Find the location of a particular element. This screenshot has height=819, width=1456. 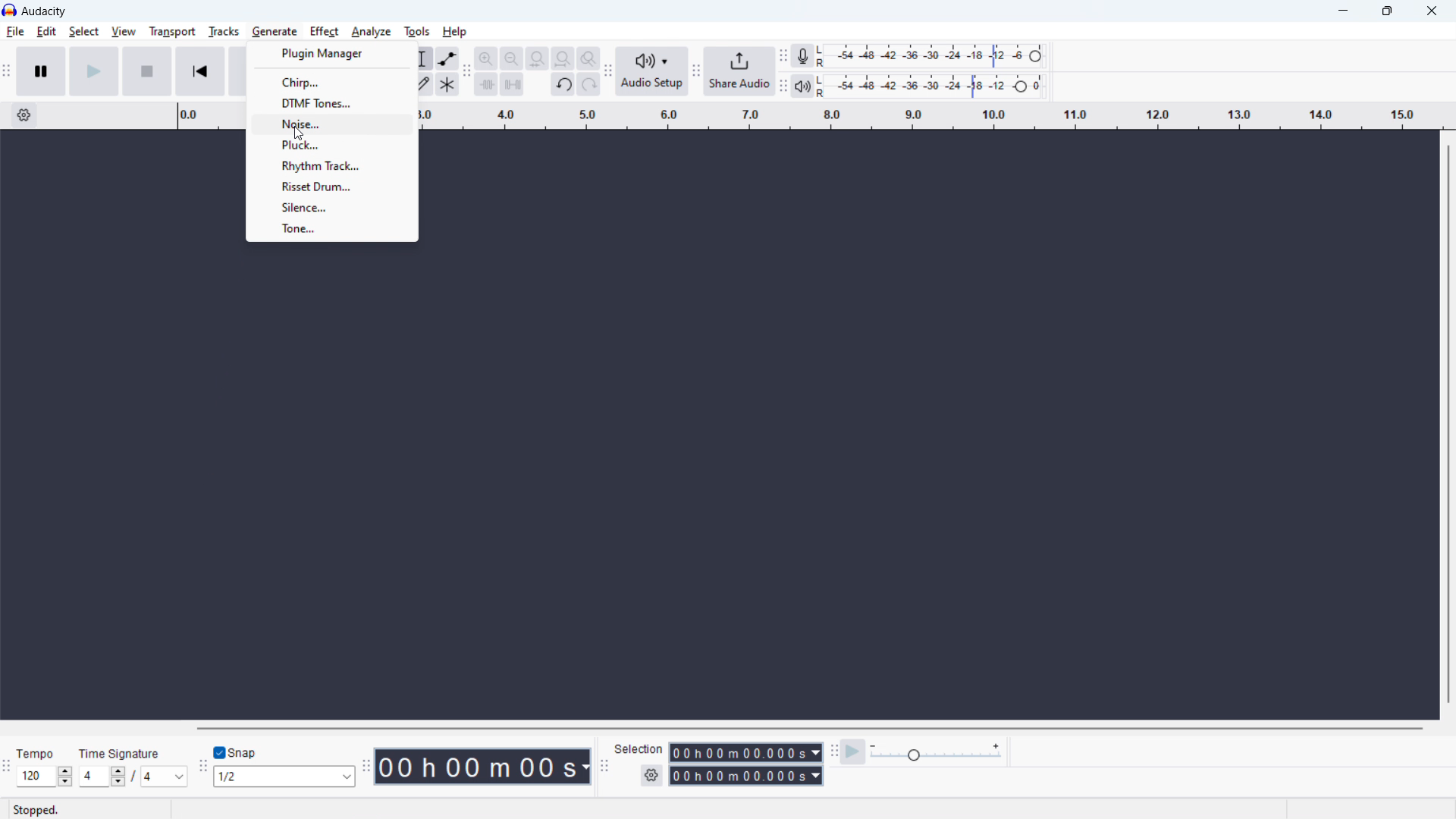

redo is located at coordinates (588, 84).